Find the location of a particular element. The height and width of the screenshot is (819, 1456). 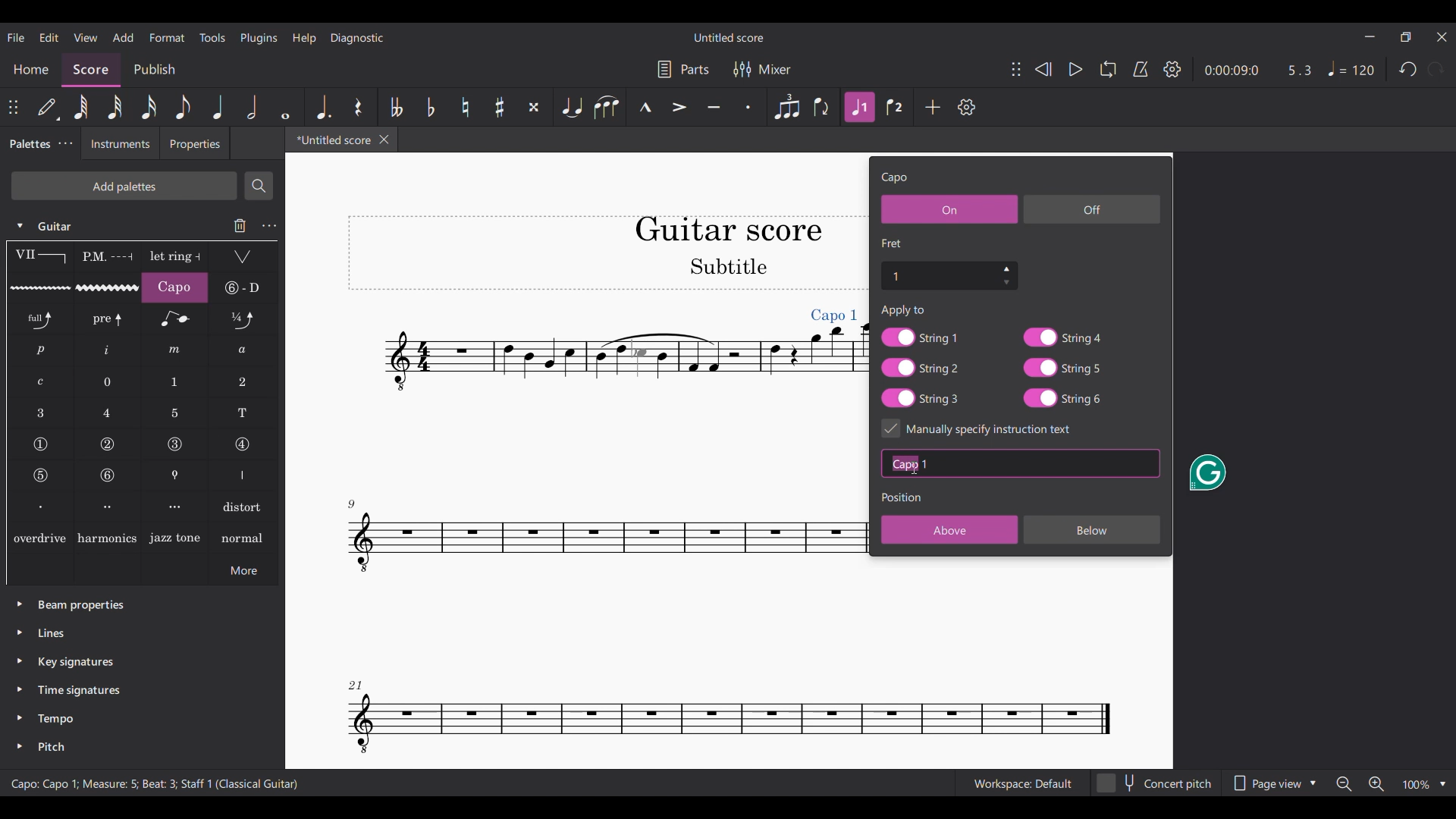

Page view options is located at coordinates (1275, 783).